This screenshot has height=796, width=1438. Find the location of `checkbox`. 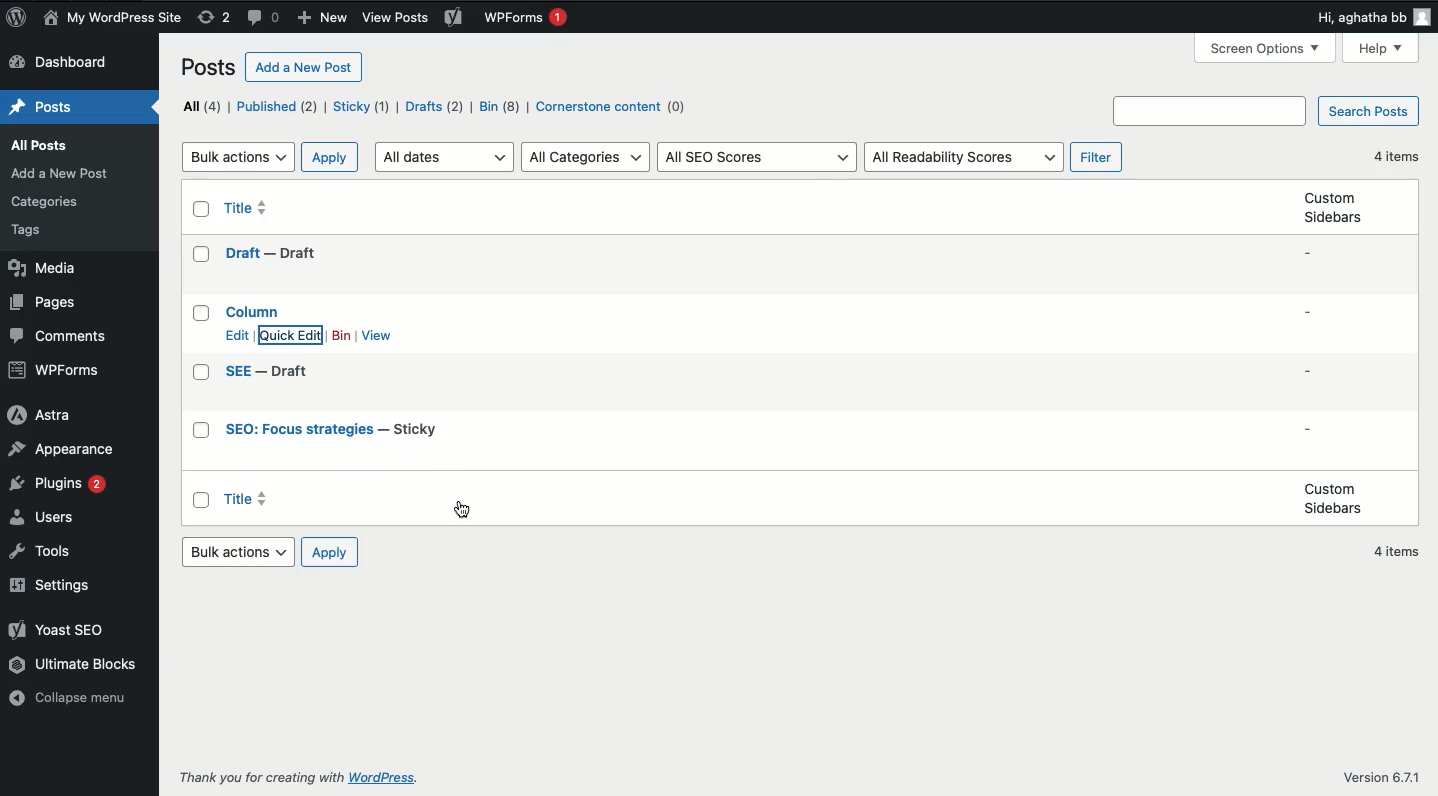

checkbox is located at coordinates (201, 372).